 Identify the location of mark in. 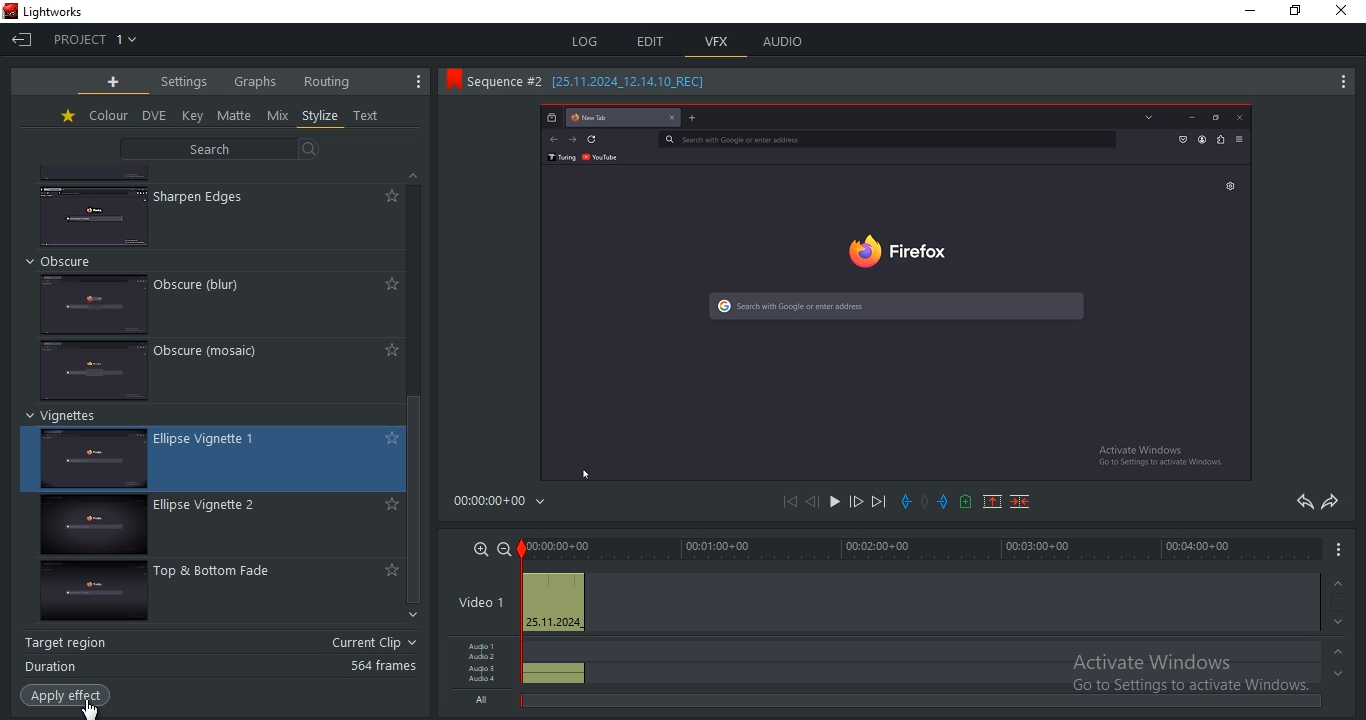
(908, 501).